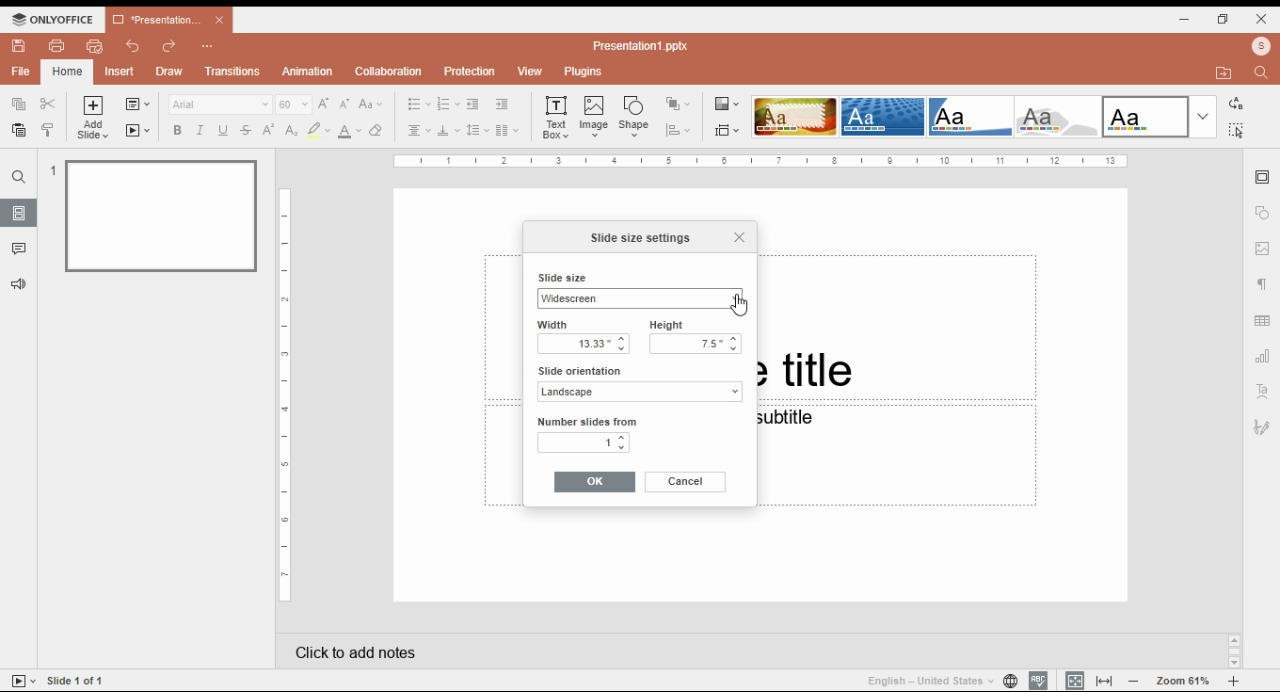 Image resolution: width=1280 pixels, height=692 pixels. Describe the element at coordinates (286, 396) in the screenshot. I see `Page Scale` at that location.